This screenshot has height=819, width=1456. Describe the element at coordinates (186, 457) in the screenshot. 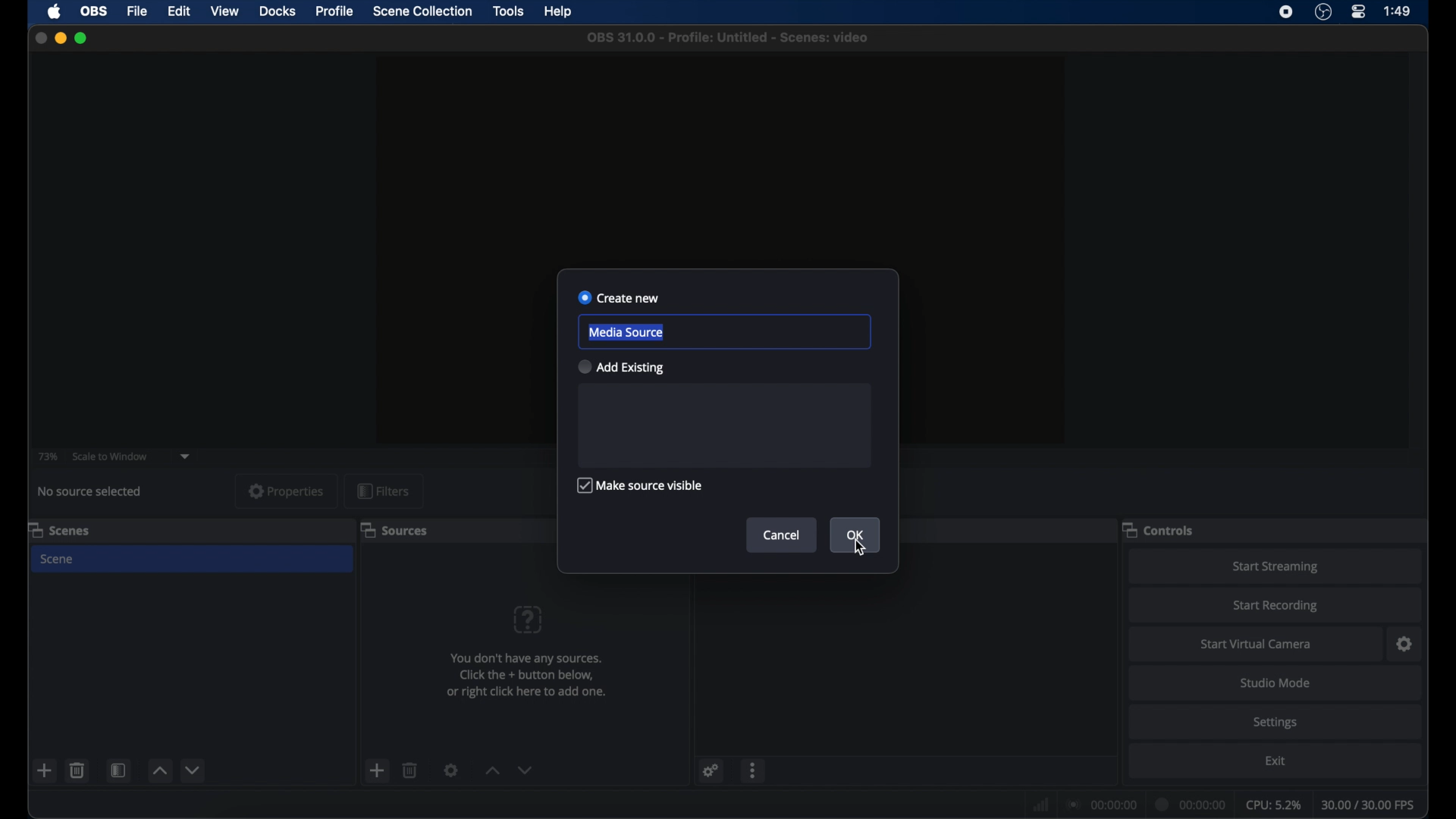

I see `dropdown` at that location.